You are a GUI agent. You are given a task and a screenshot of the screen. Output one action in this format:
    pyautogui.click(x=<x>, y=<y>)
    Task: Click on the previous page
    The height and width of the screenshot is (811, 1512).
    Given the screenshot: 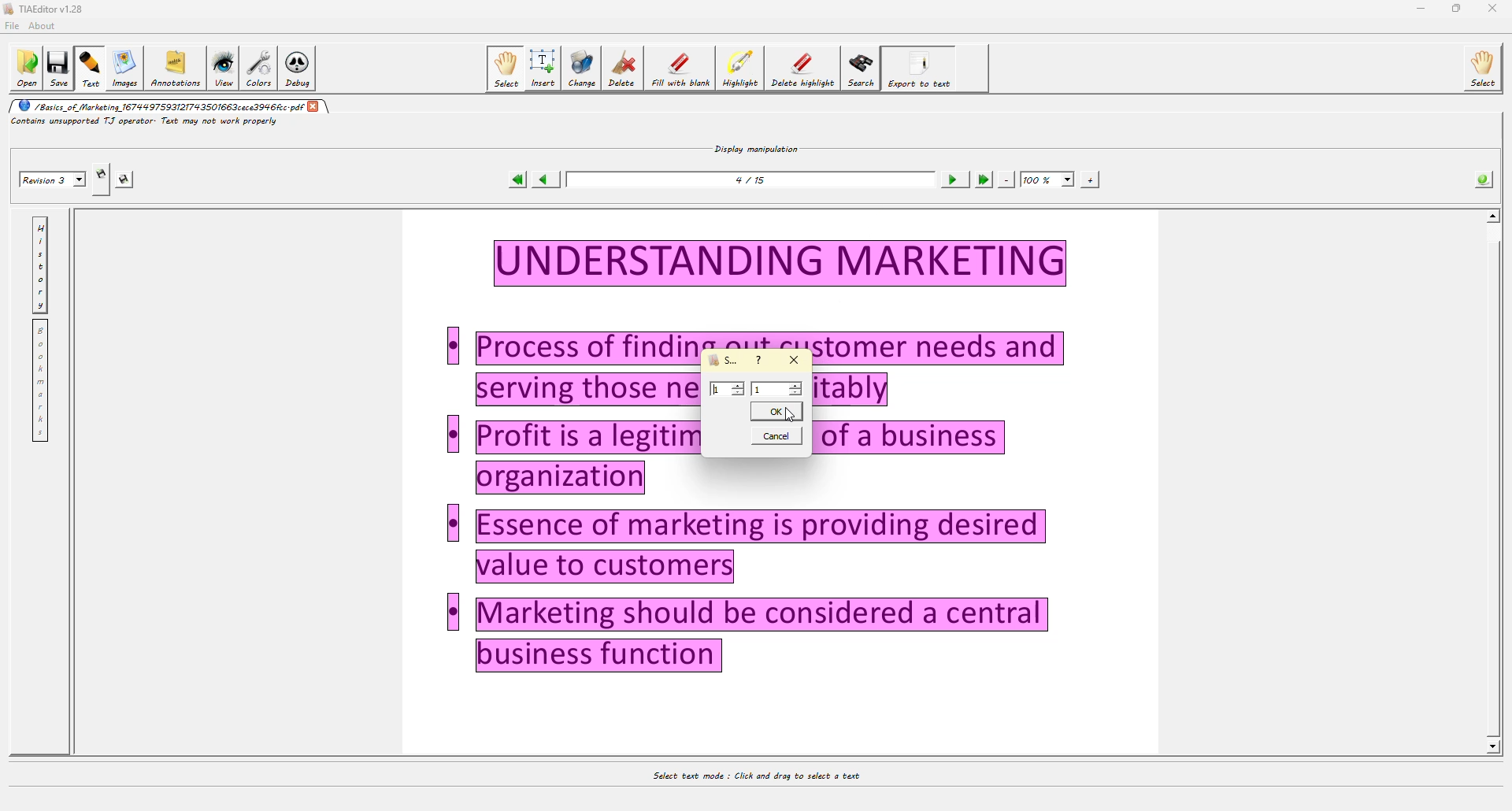 What is the action you would take?
    pyautogui.click(x=544, y=180)
    